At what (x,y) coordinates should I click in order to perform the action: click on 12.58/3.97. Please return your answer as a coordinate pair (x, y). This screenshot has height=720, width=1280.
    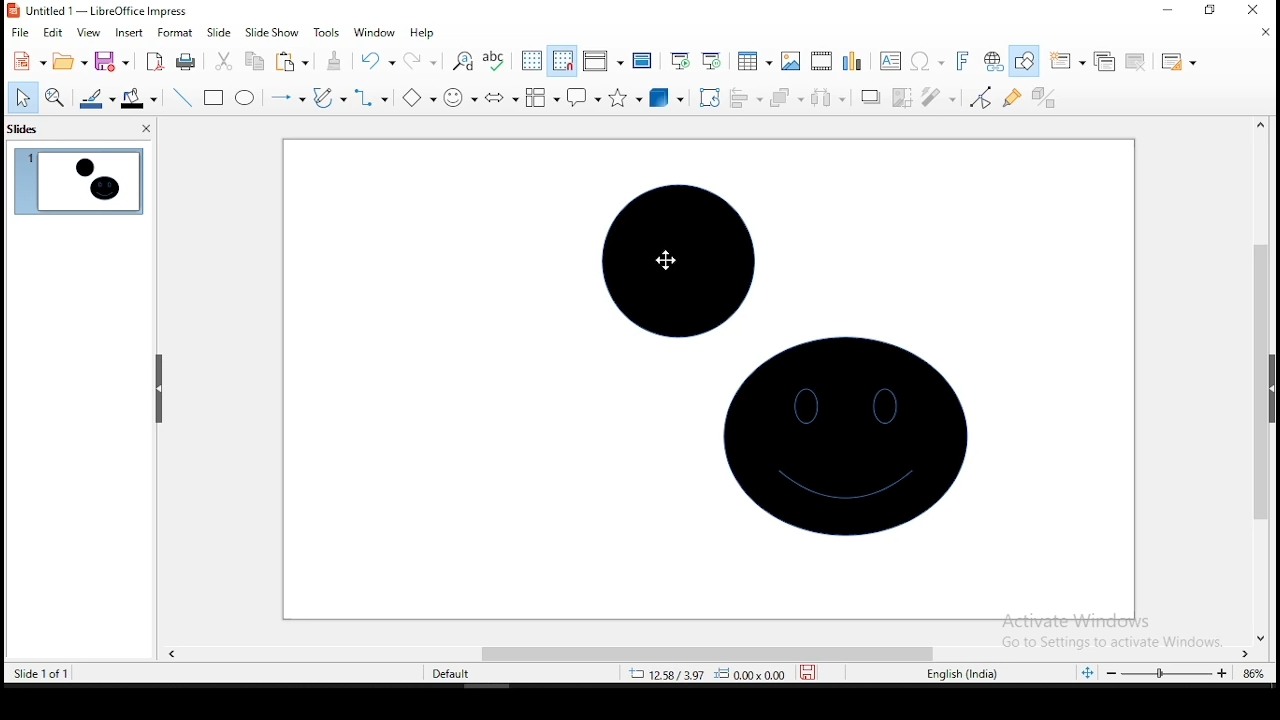
    Looking at the image, I should click on (673, 673).